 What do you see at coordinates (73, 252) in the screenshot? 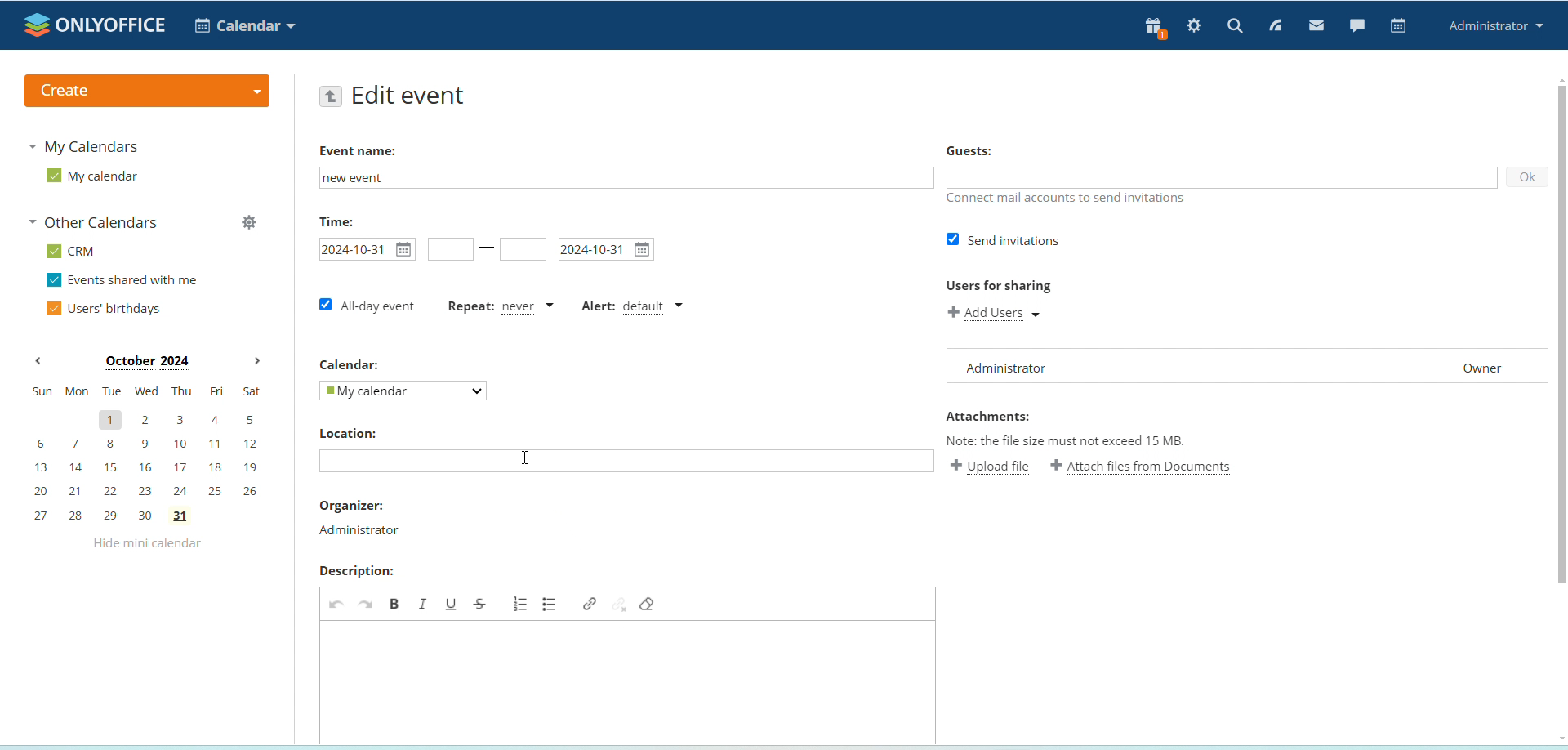
I see `CRM` at bounding box center [73, 252].